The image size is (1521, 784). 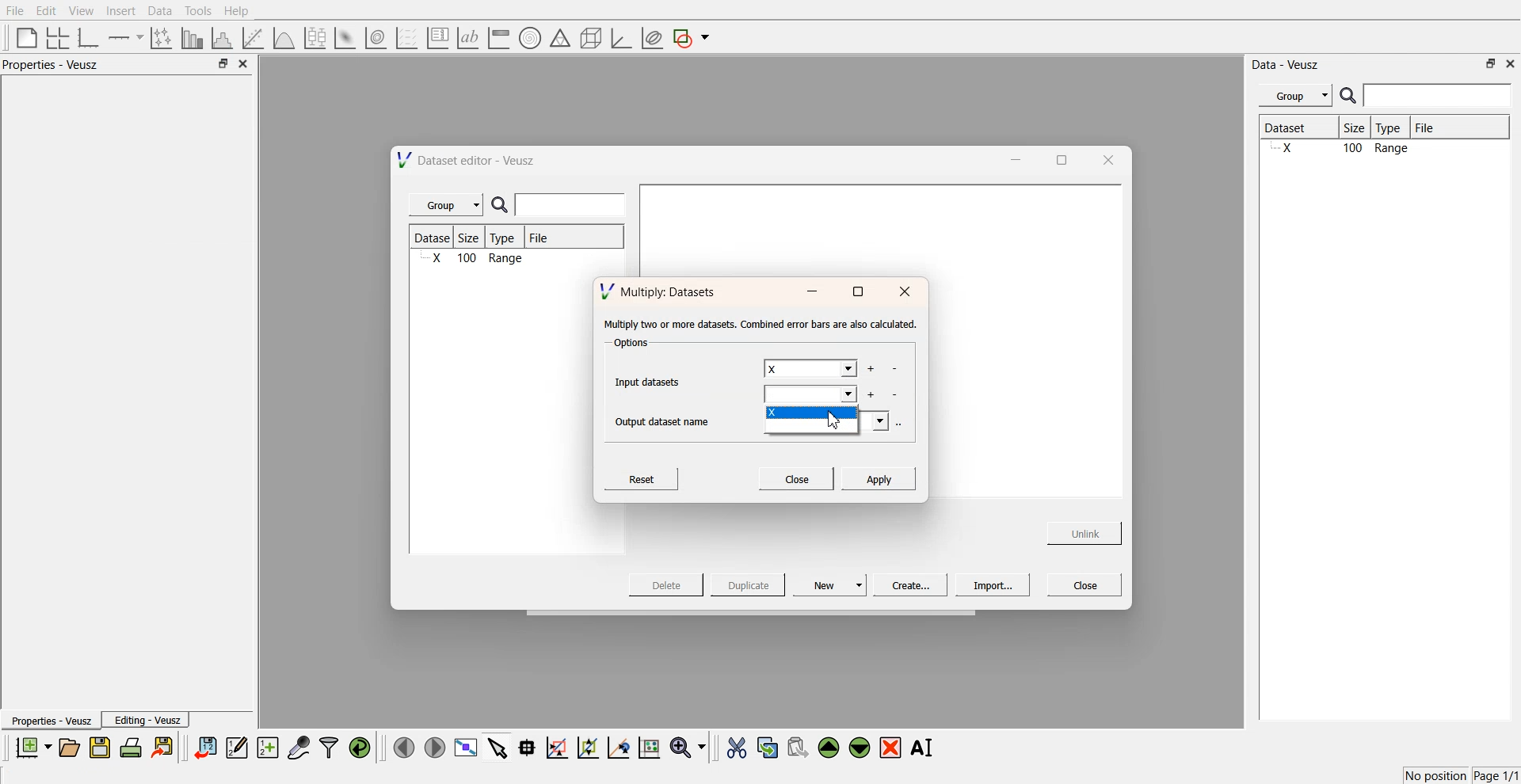 I want to click on minimise or maximise, so click(x=1491, y=63).